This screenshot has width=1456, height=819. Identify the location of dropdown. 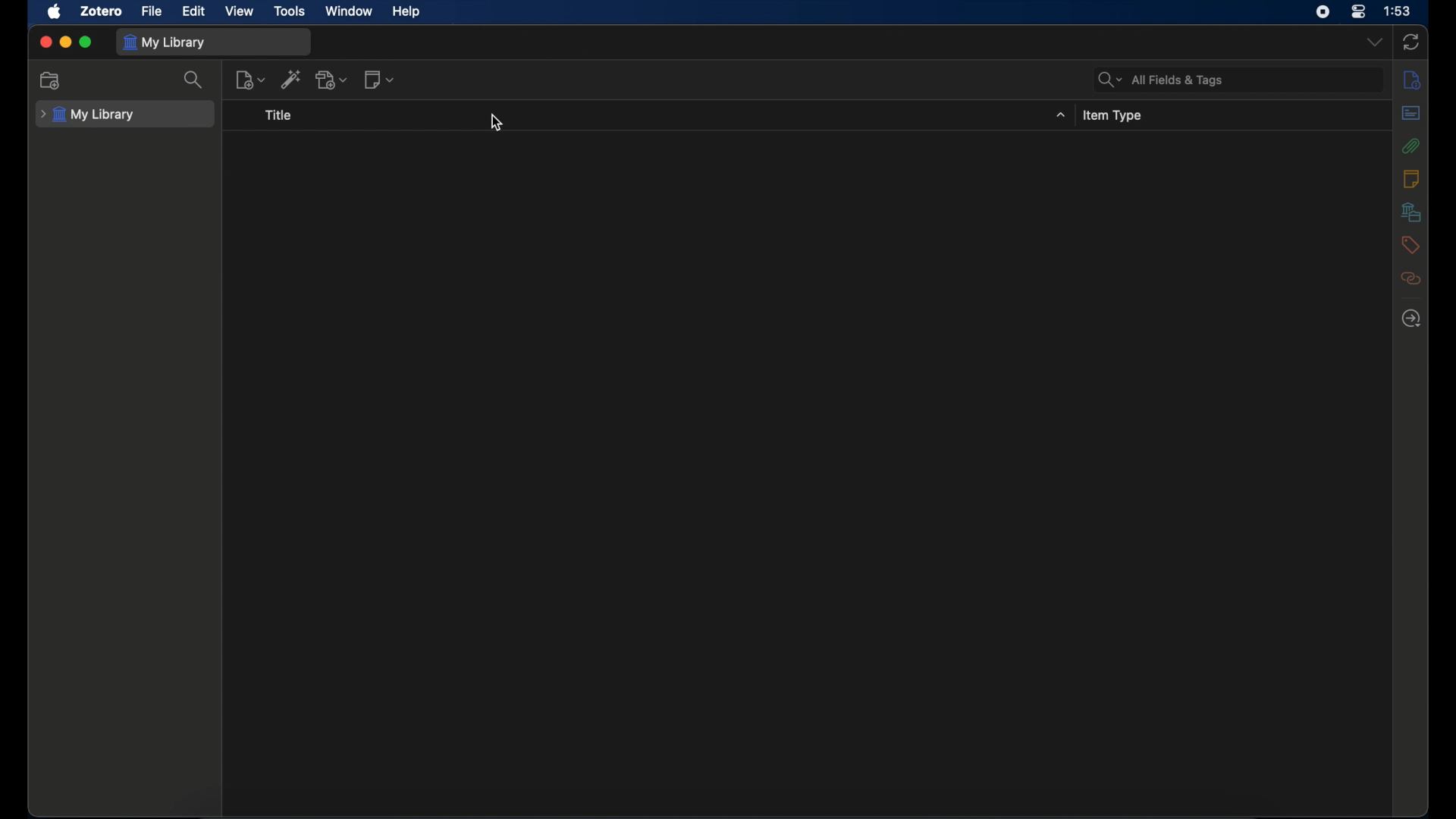
(1061, 115).